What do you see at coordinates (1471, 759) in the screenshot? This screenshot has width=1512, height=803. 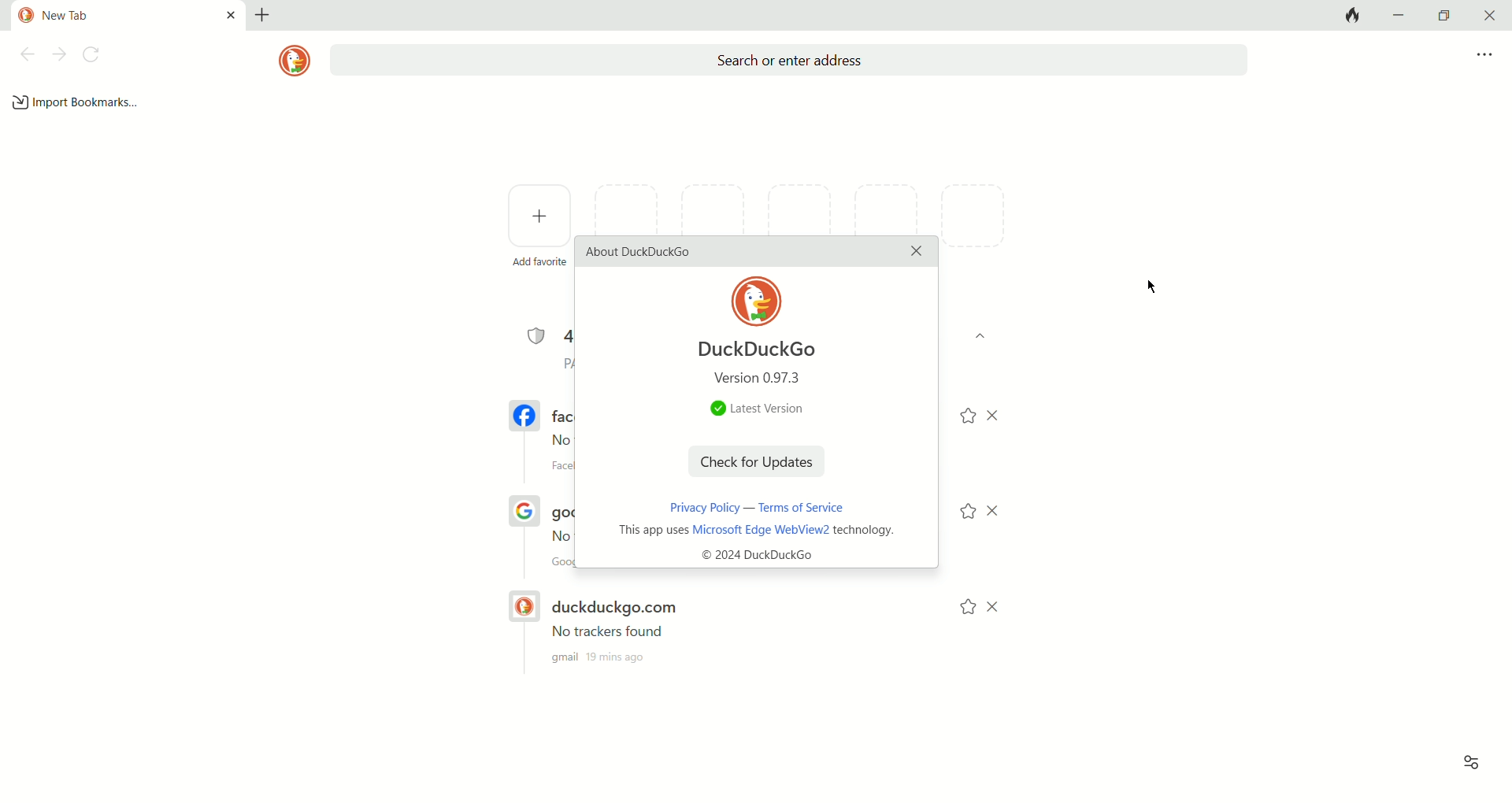 I see `view options` at bounding box center [1471, 759].